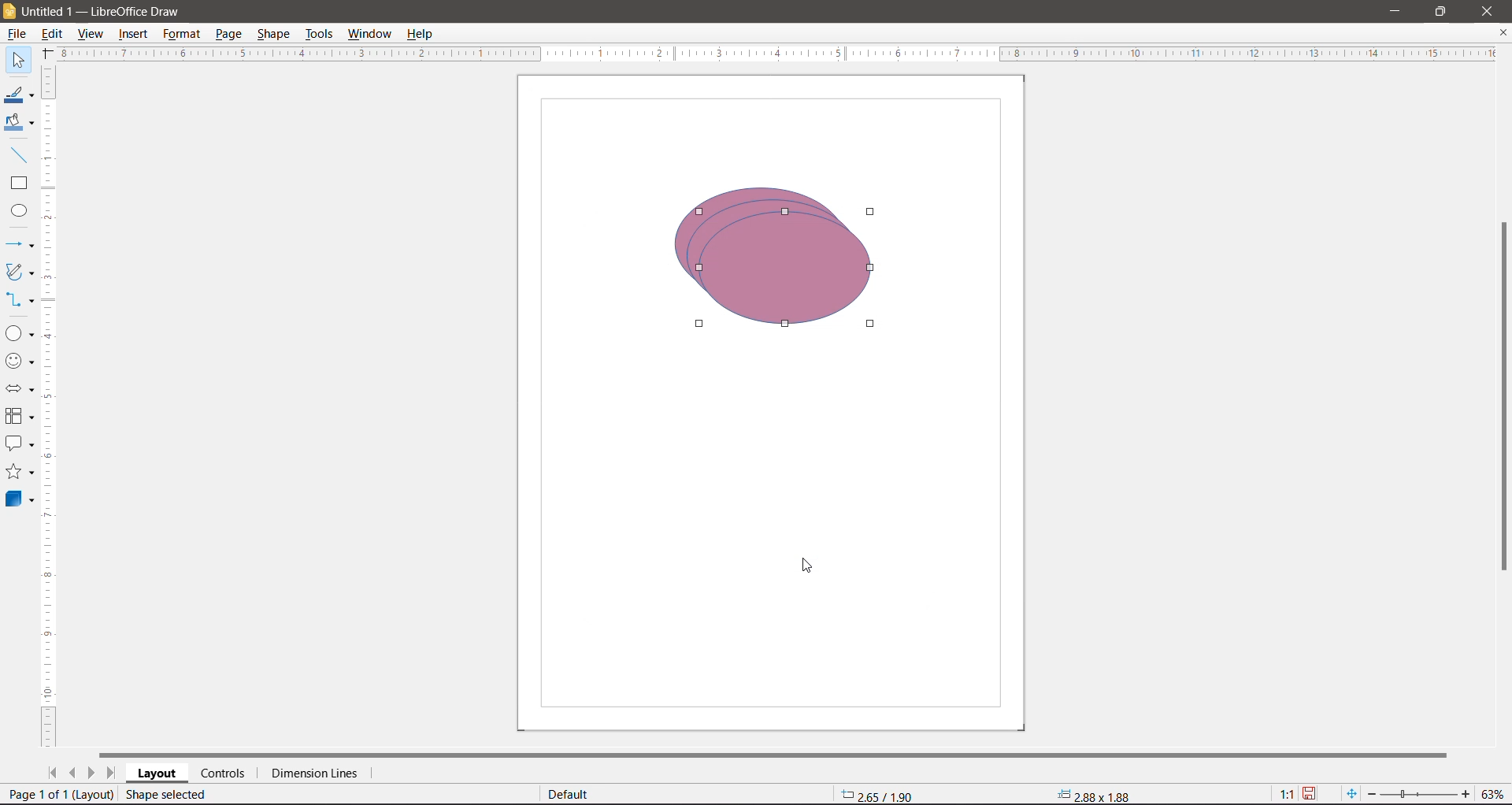  I want to click on Insert Line, so click(18, 154).